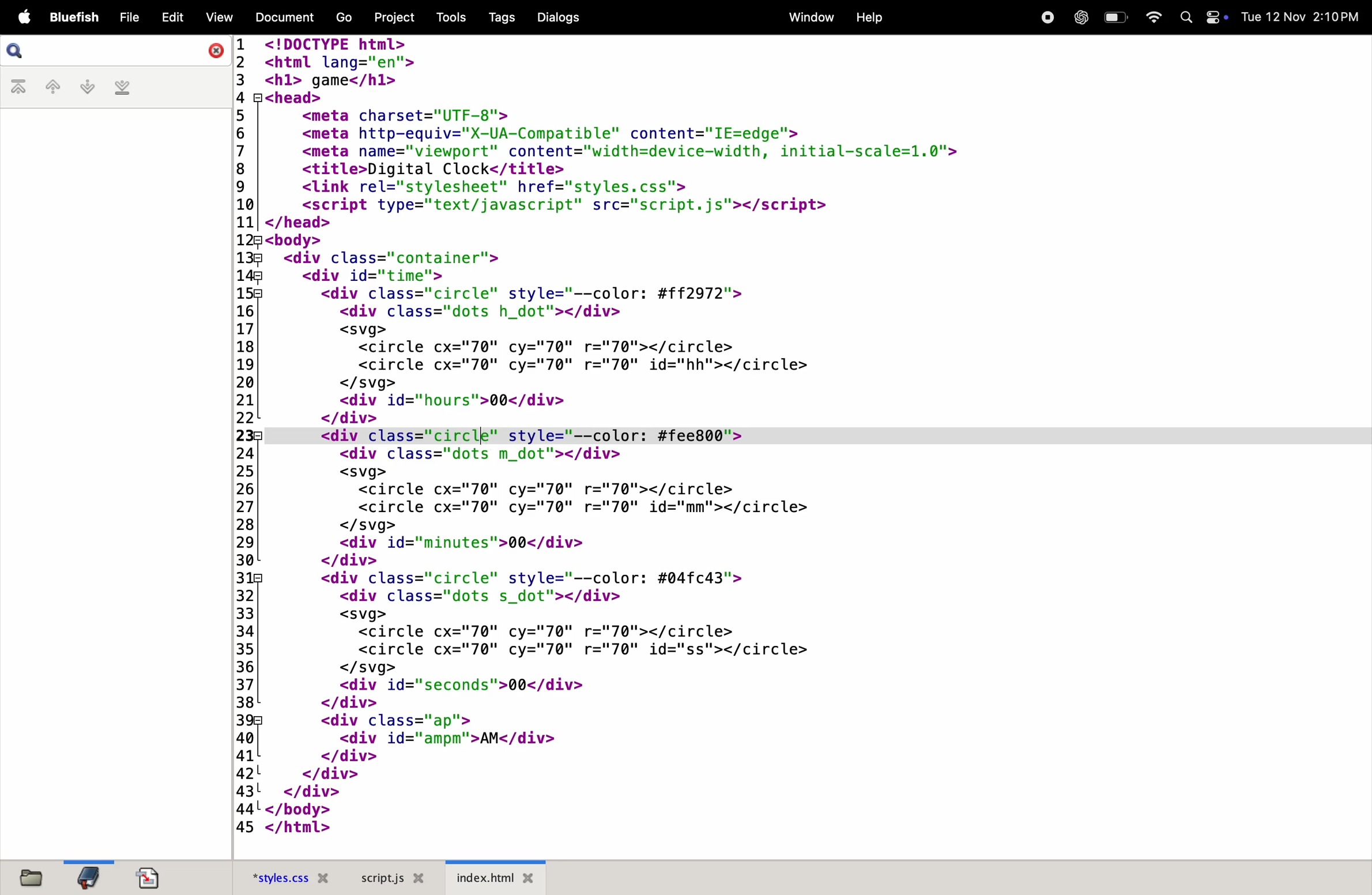 The width and height of the screenshot is (1372, 895). I want to click on tools, so click(448, 16).